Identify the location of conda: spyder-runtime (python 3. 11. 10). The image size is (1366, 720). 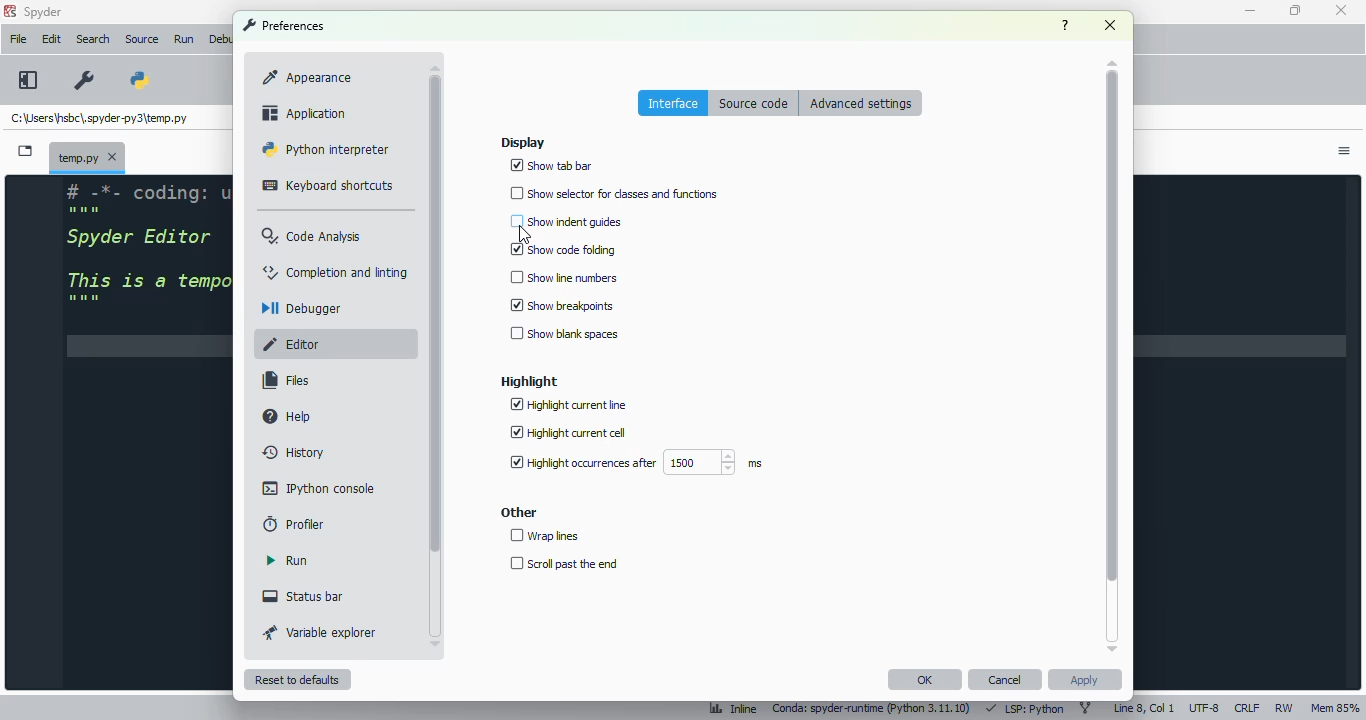
(871, 708).